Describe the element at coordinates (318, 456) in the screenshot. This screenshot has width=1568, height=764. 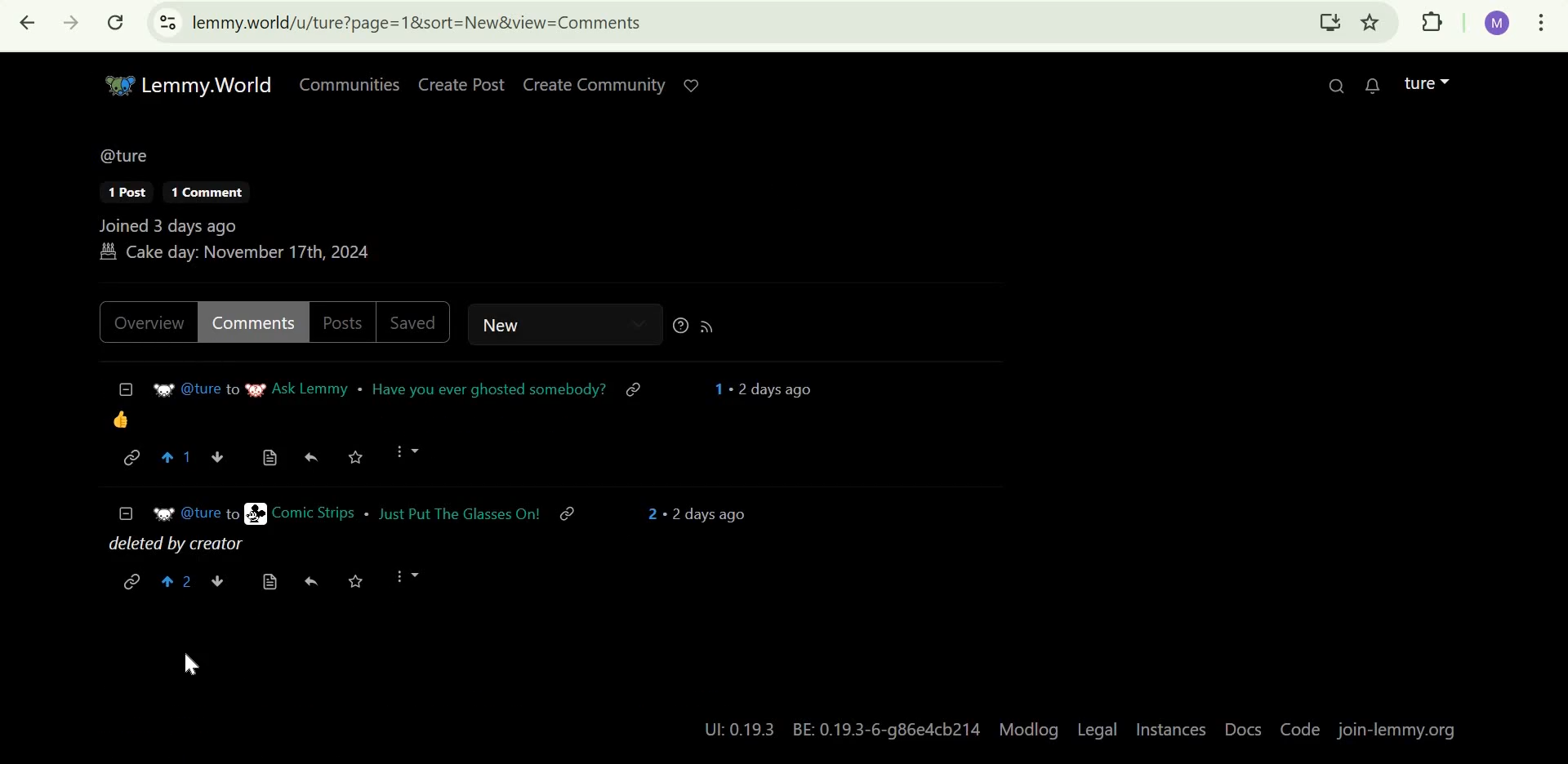
I see `reply` at that location.